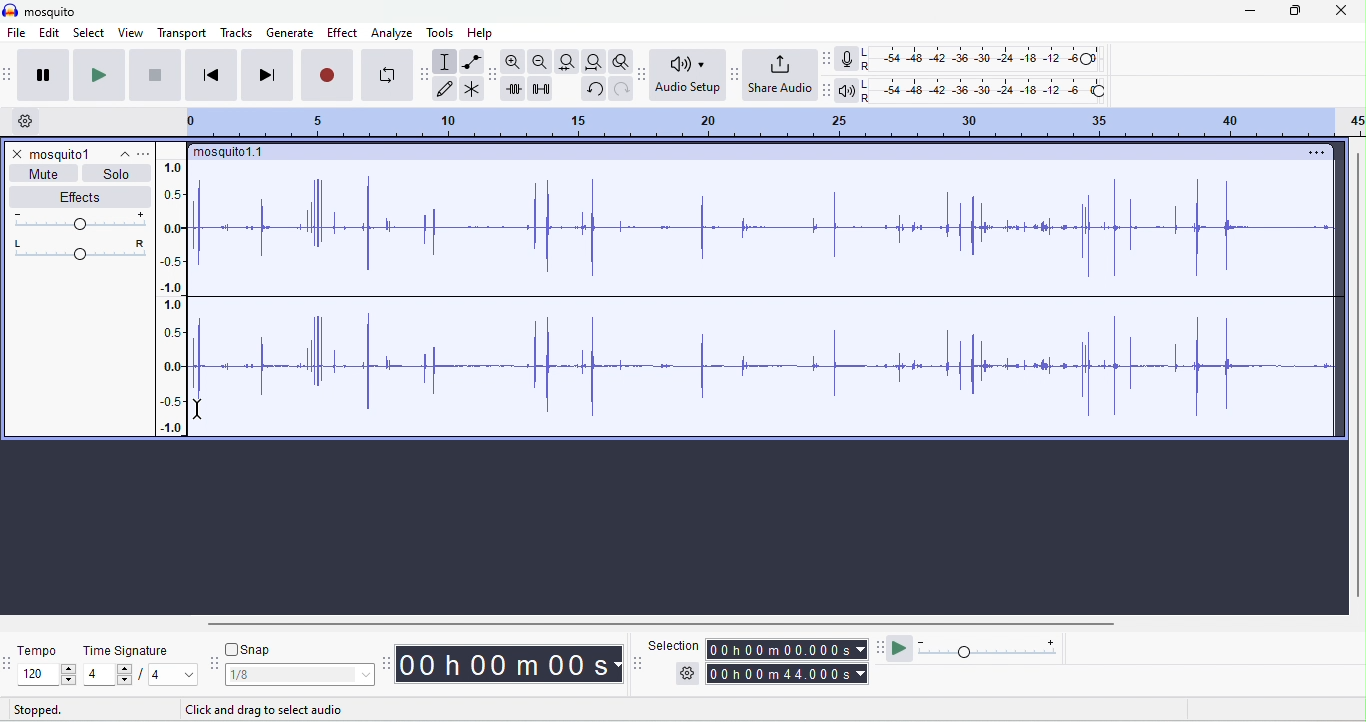 This screenshot has height=722, width=1366. I want to click on skip to start, so click(213, 77).